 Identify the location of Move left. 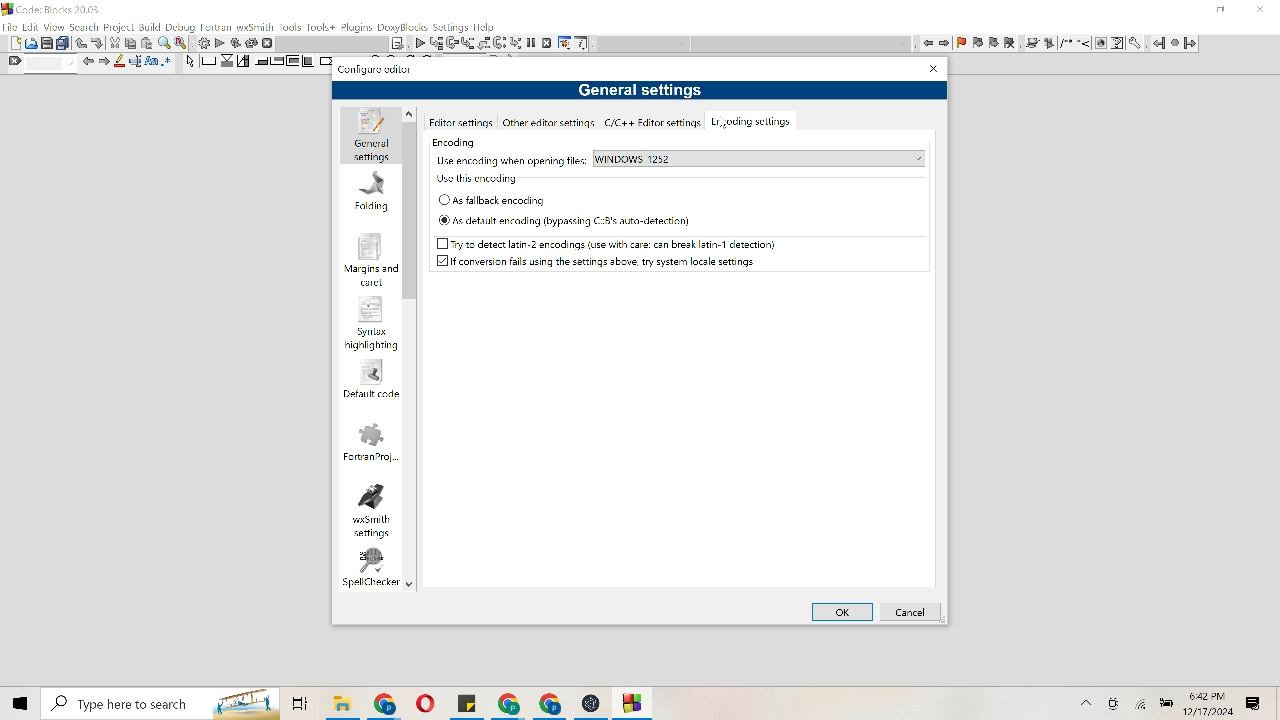
(928, 42).